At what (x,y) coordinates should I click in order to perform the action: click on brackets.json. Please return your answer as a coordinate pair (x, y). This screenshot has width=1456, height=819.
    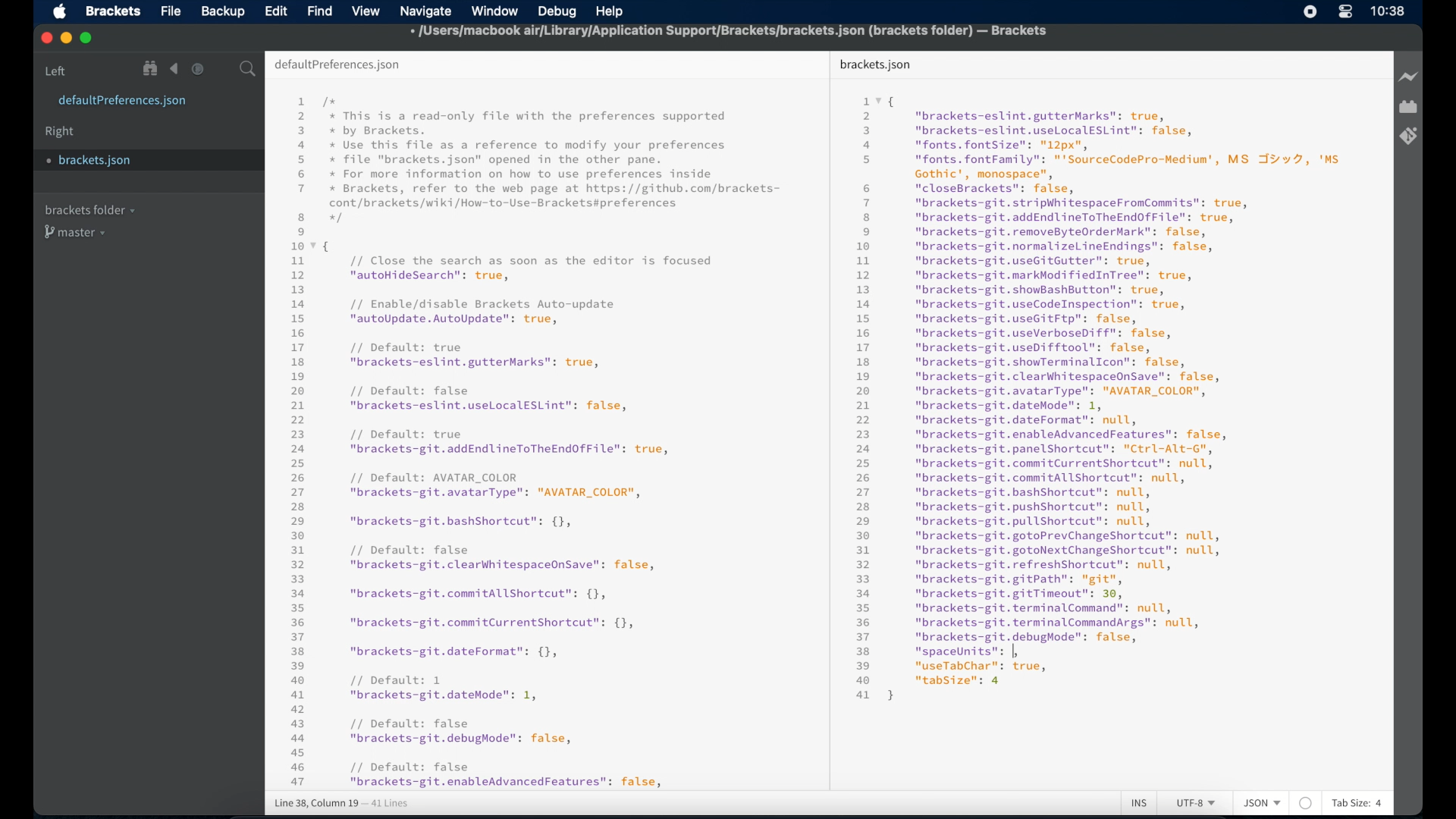
    Looking at the image, I should click on (96, 161).